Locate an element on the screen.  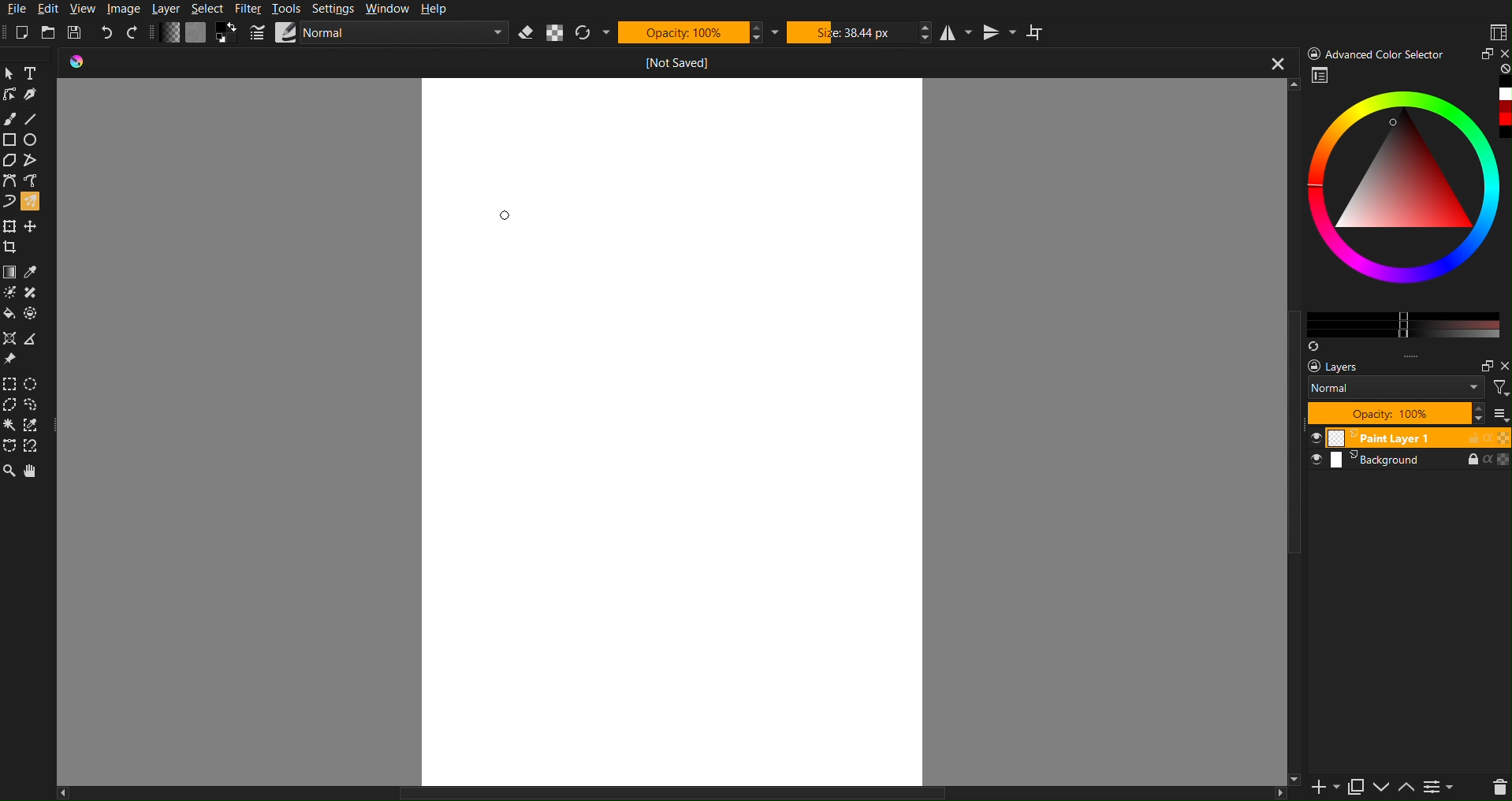
Vertical Mirror is located at coordinates (999, 32).